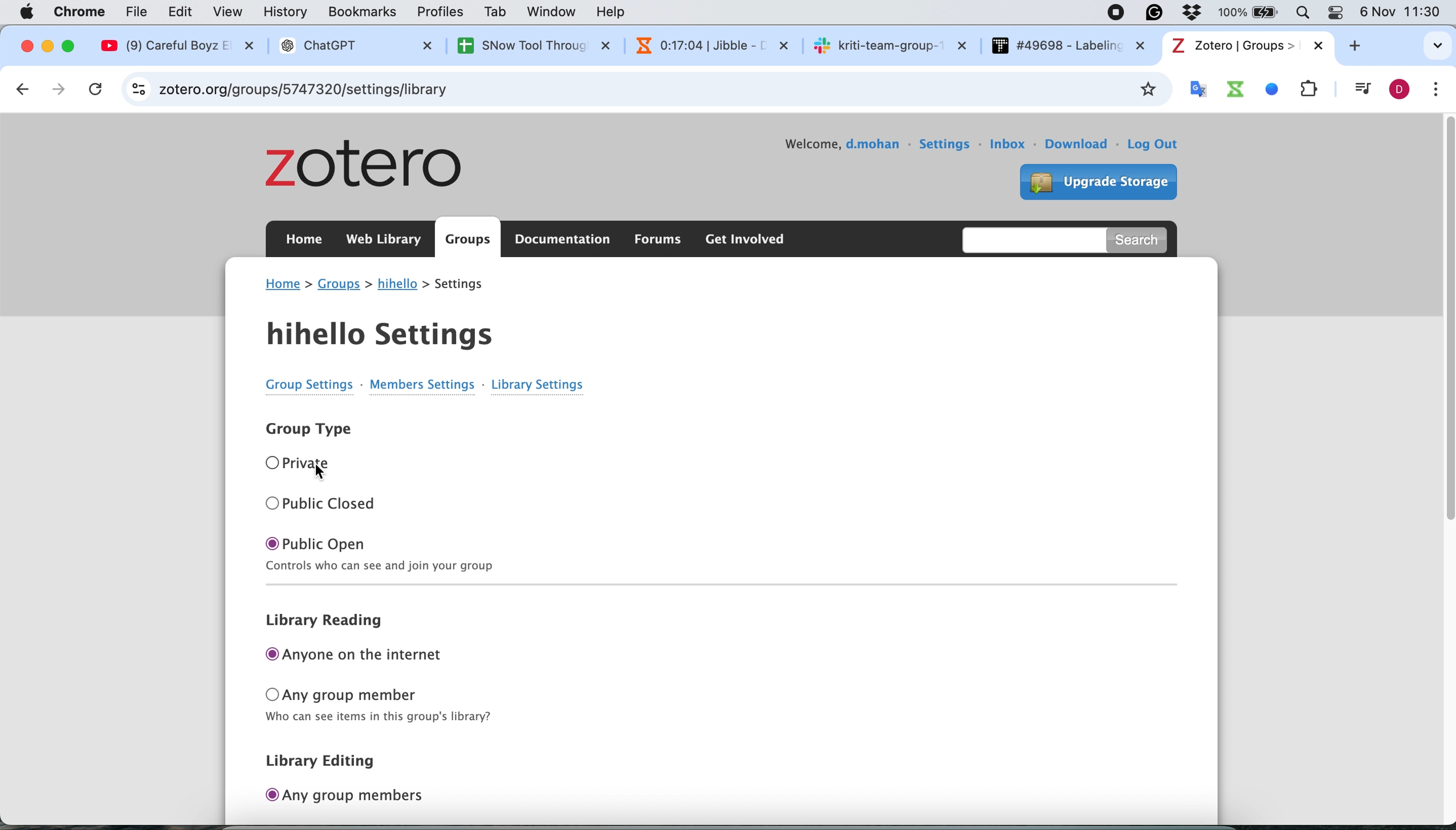 This screenshot has height=830, width=1456. I want to click on web library, so click(386, 239).